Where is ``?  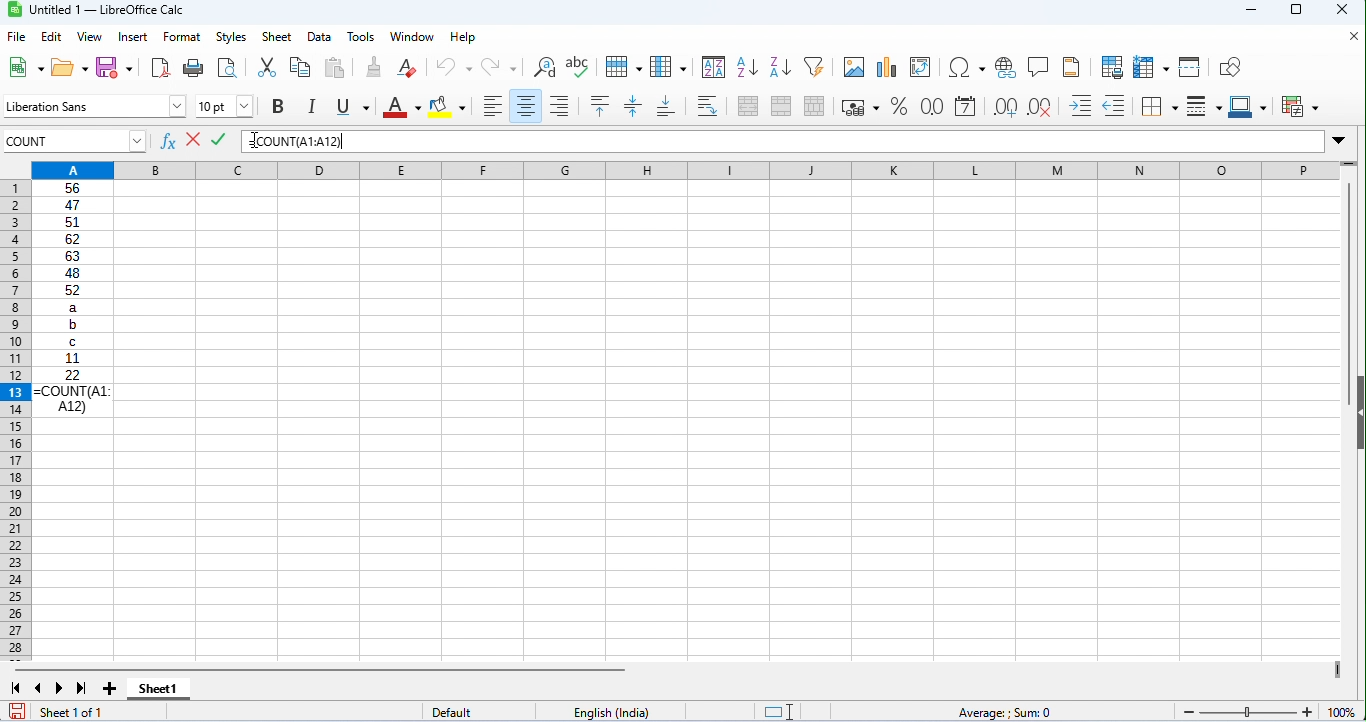
 is located at coordinates (231, 38).